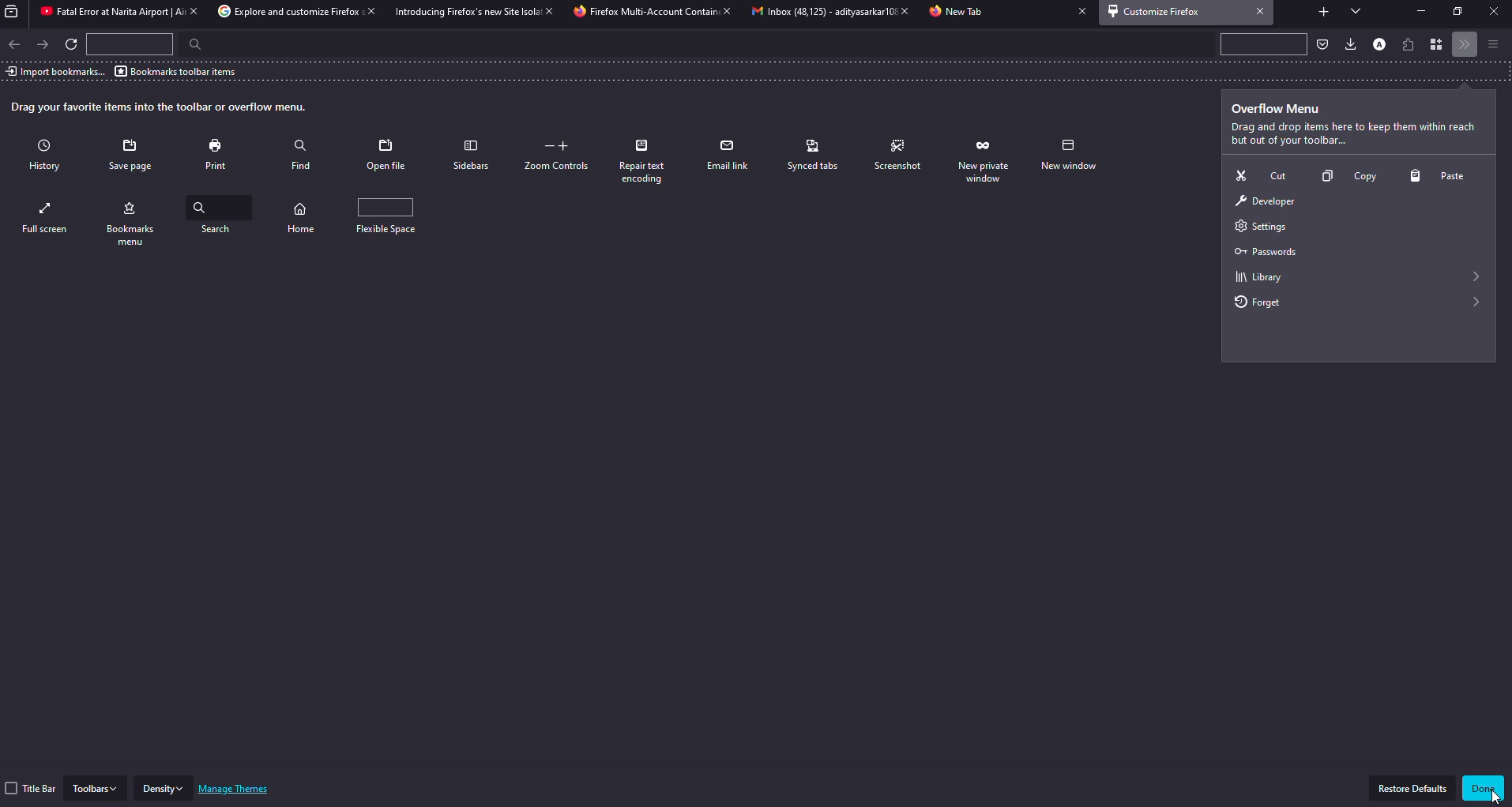  I want to click on close, so click(726, 12).